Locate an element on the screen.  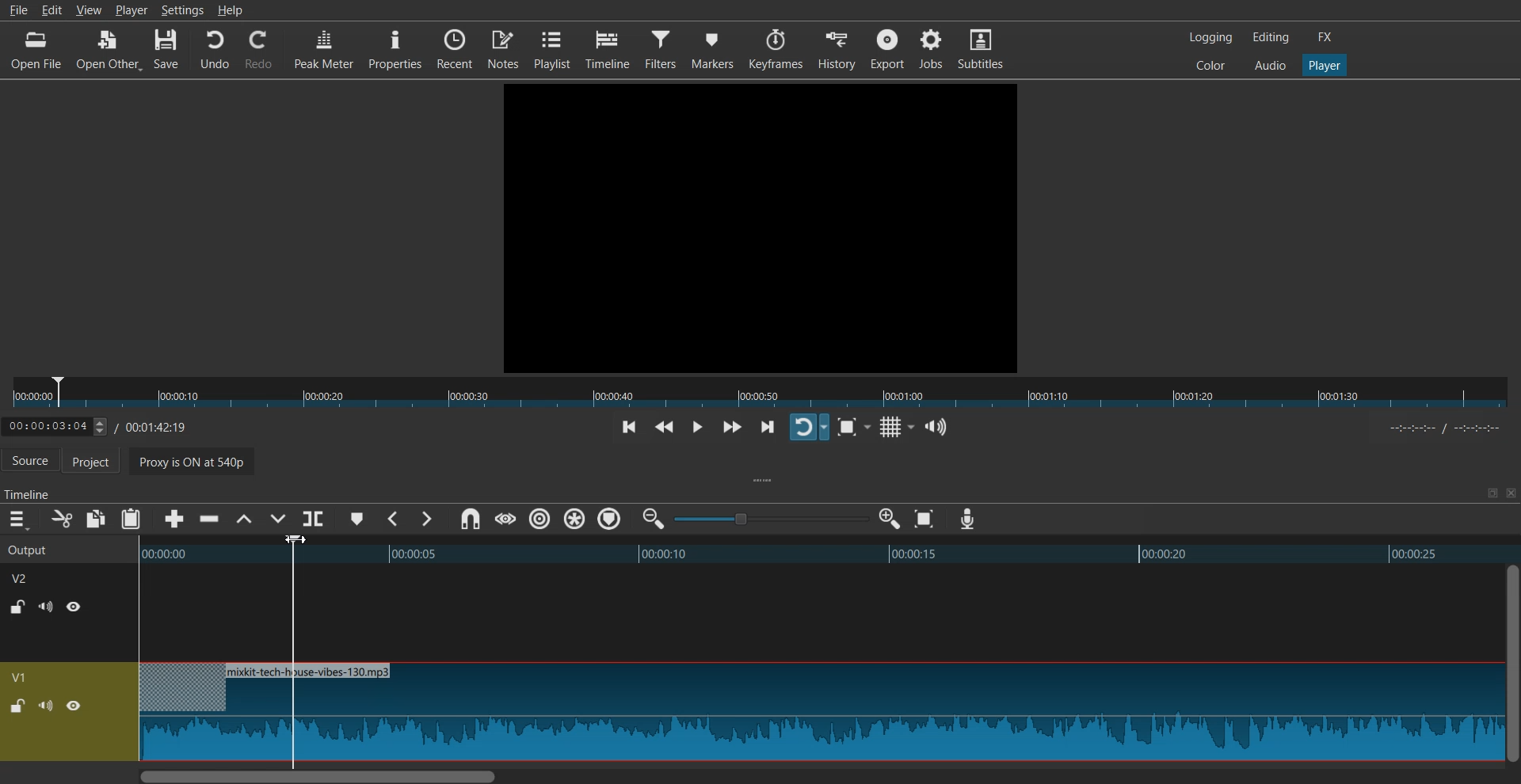
Timeline preview is located at coordinates (829, 552).